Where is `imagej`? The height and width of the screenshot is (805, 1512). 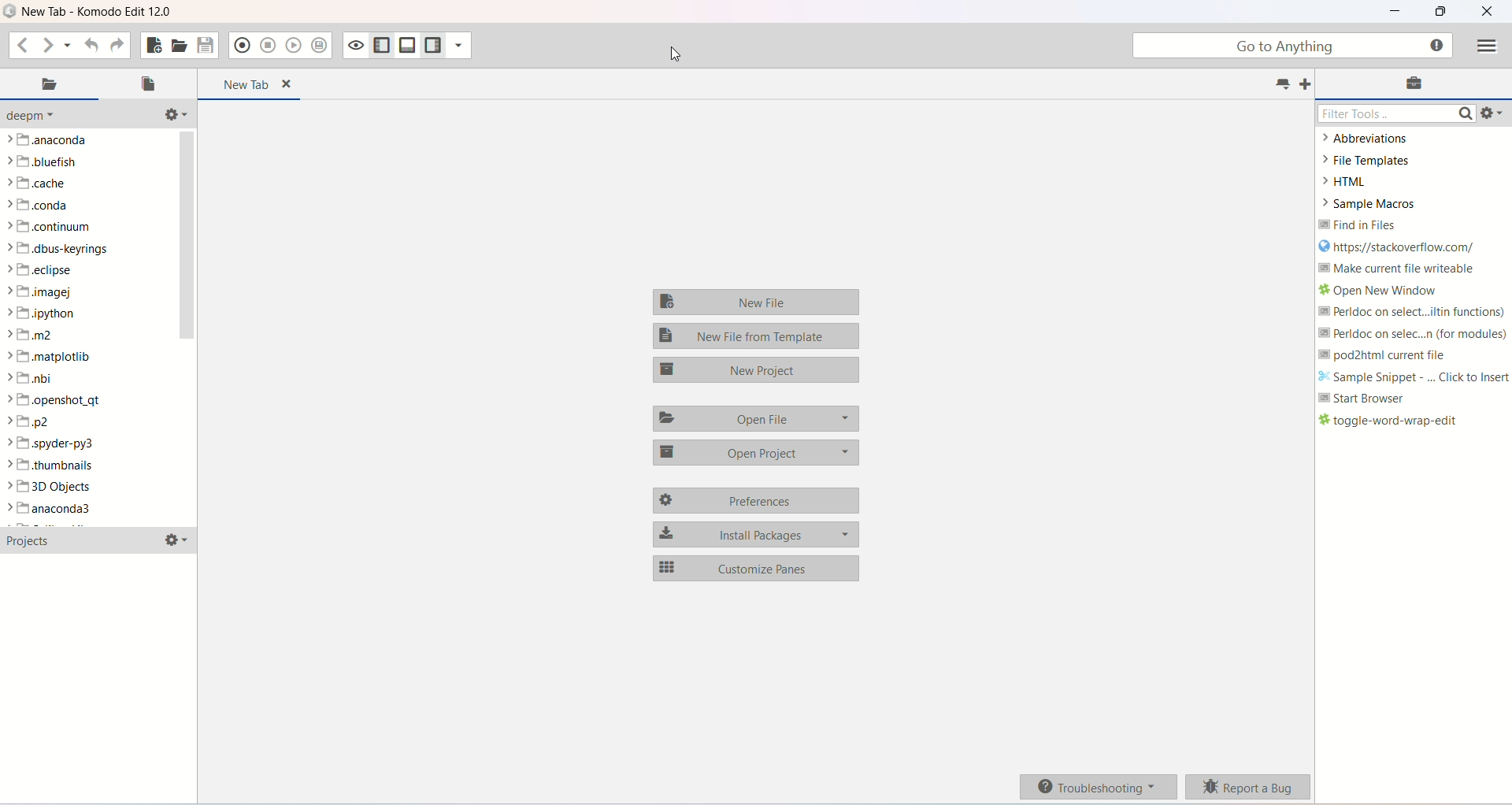
imagej is located at coordinates (48, 293).